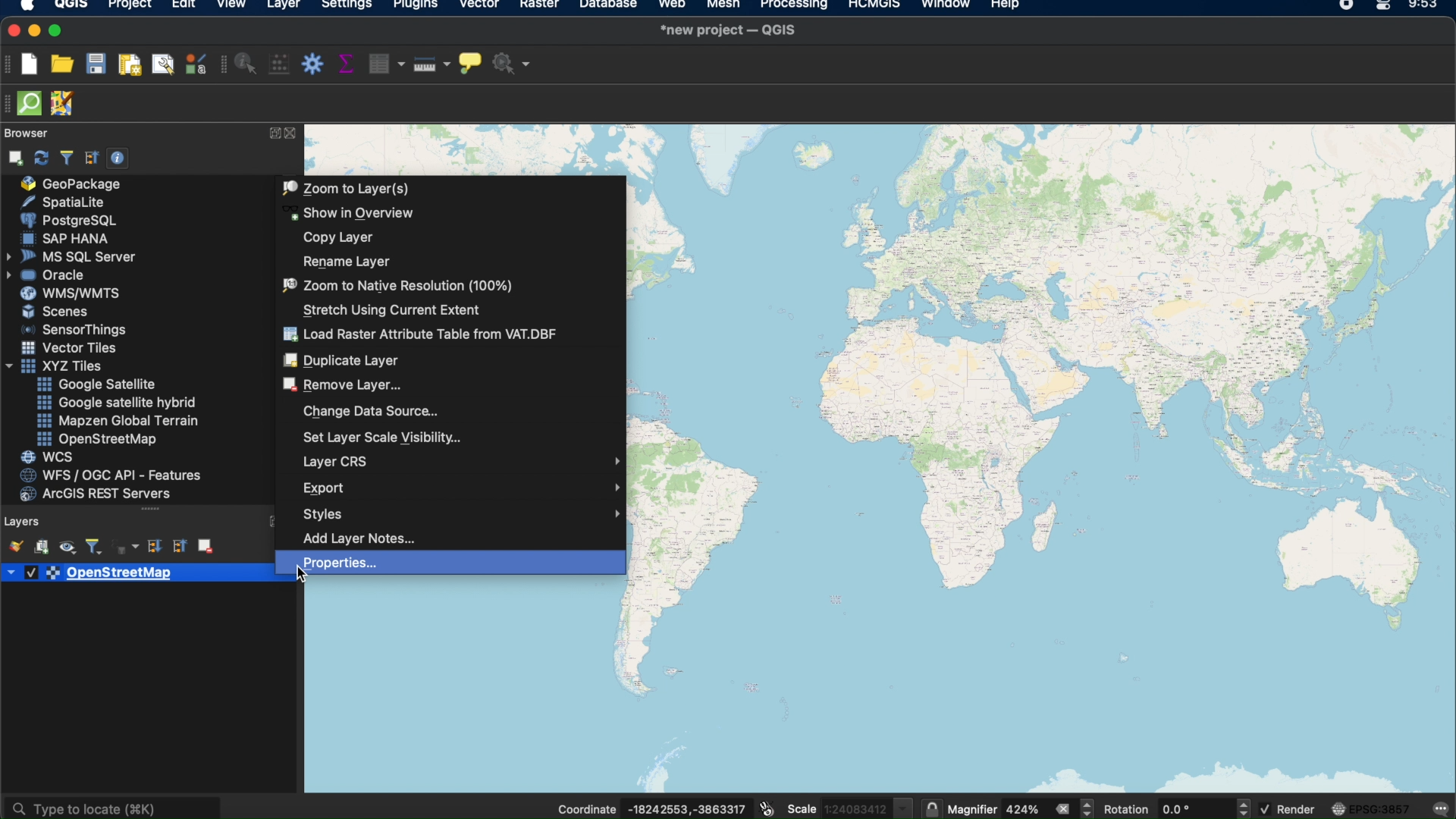 This screenshot has width=1456, height=819. I want to click on sap hana, so click(69, 239).